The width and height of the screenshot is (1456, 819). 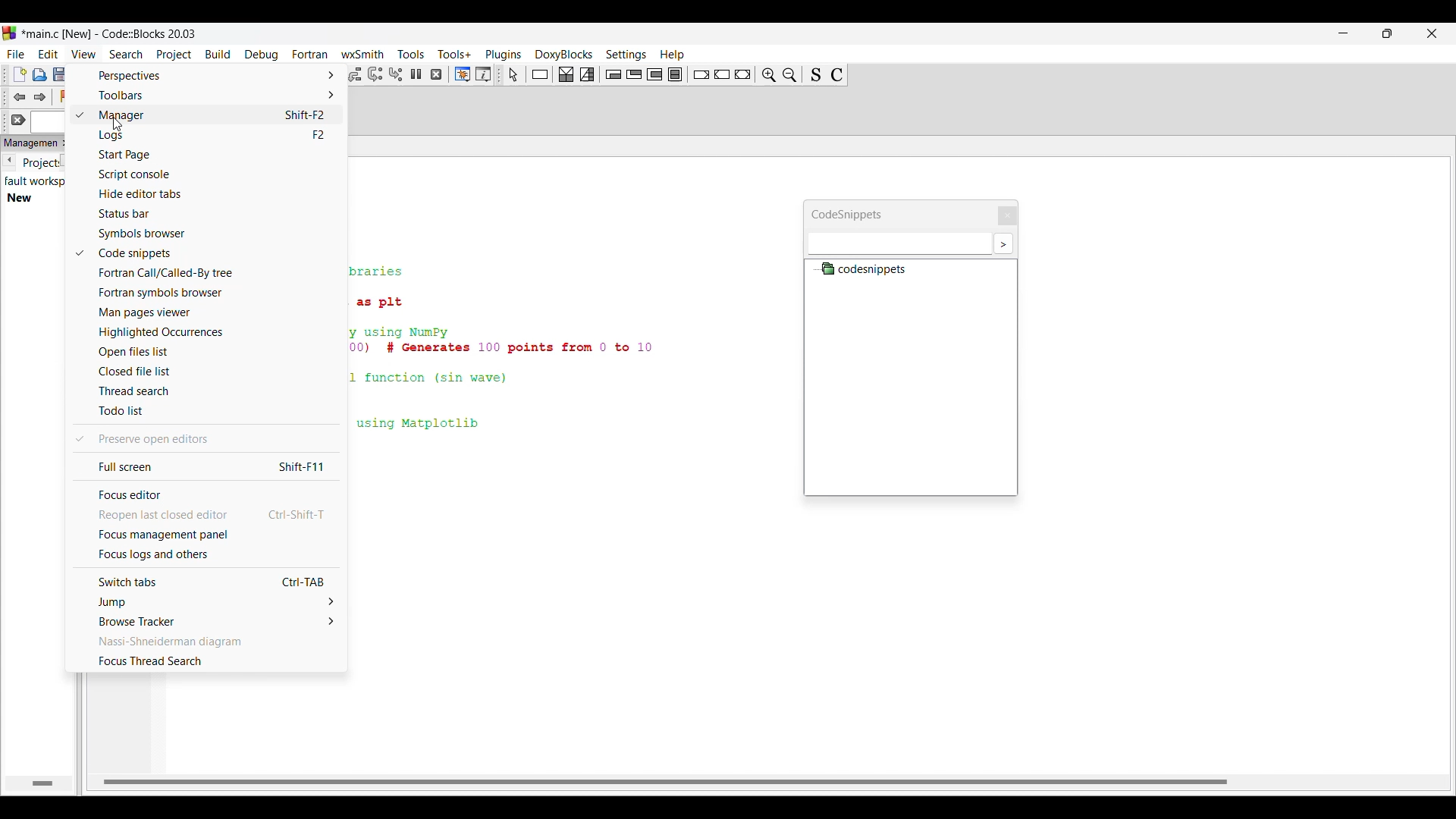 I want to click on Panel title, so click(x=852, y=211).